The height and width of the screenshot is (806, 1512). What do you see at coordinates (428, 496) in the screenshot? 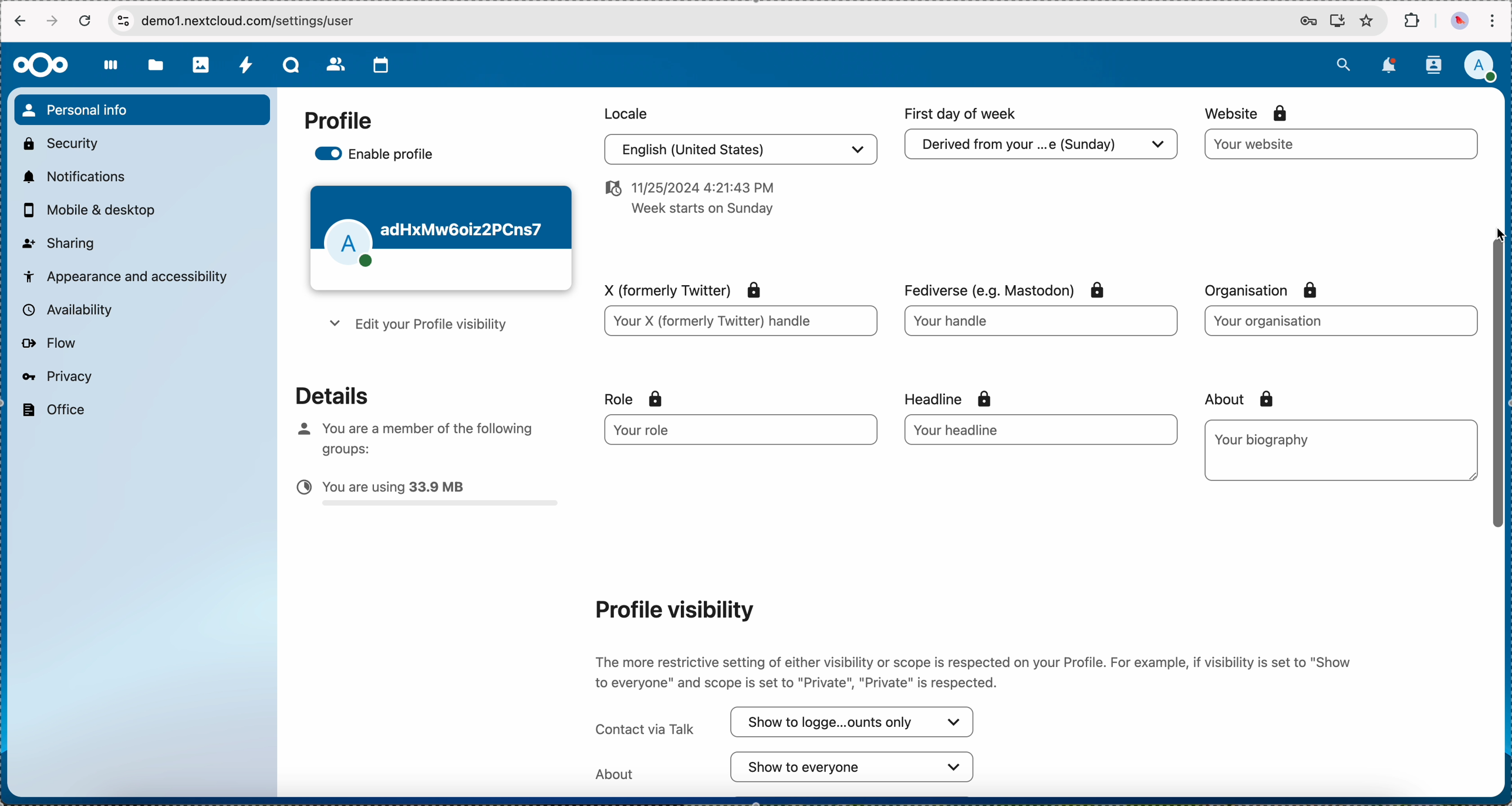
I see `capacity` at bounding box center [428, 496].